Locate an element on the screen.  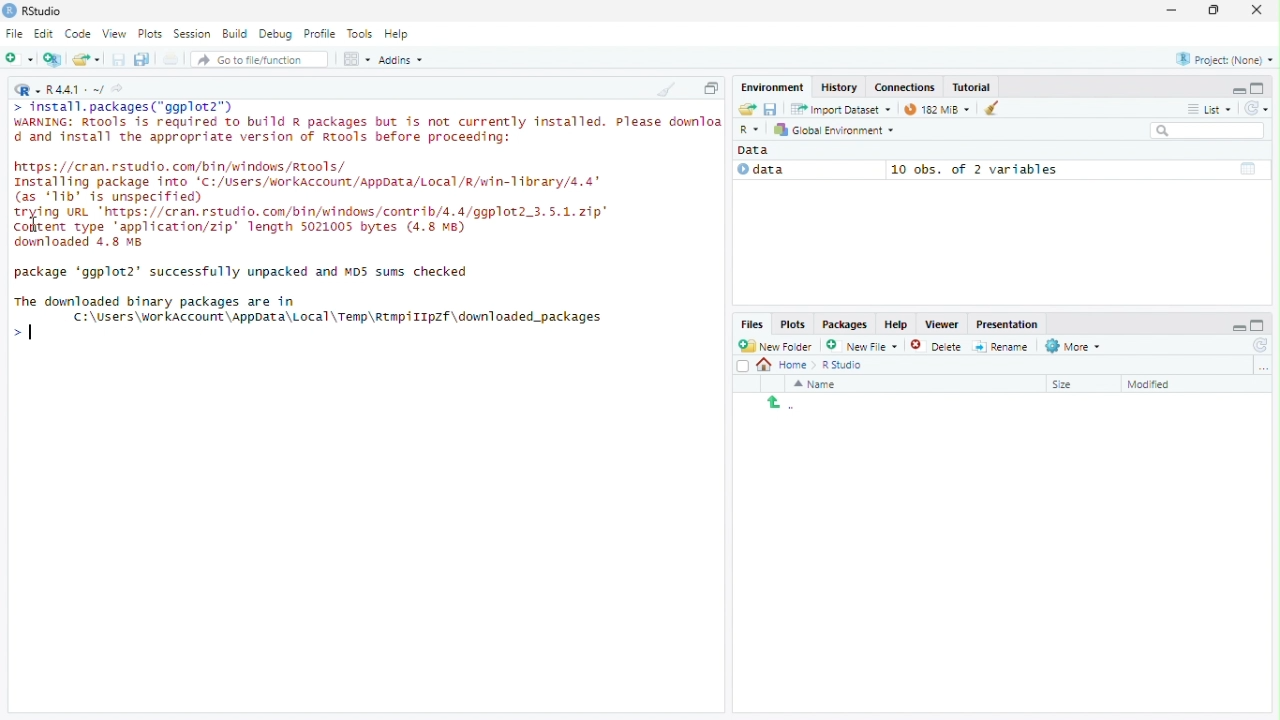
back is located at coordinates (775, 402).